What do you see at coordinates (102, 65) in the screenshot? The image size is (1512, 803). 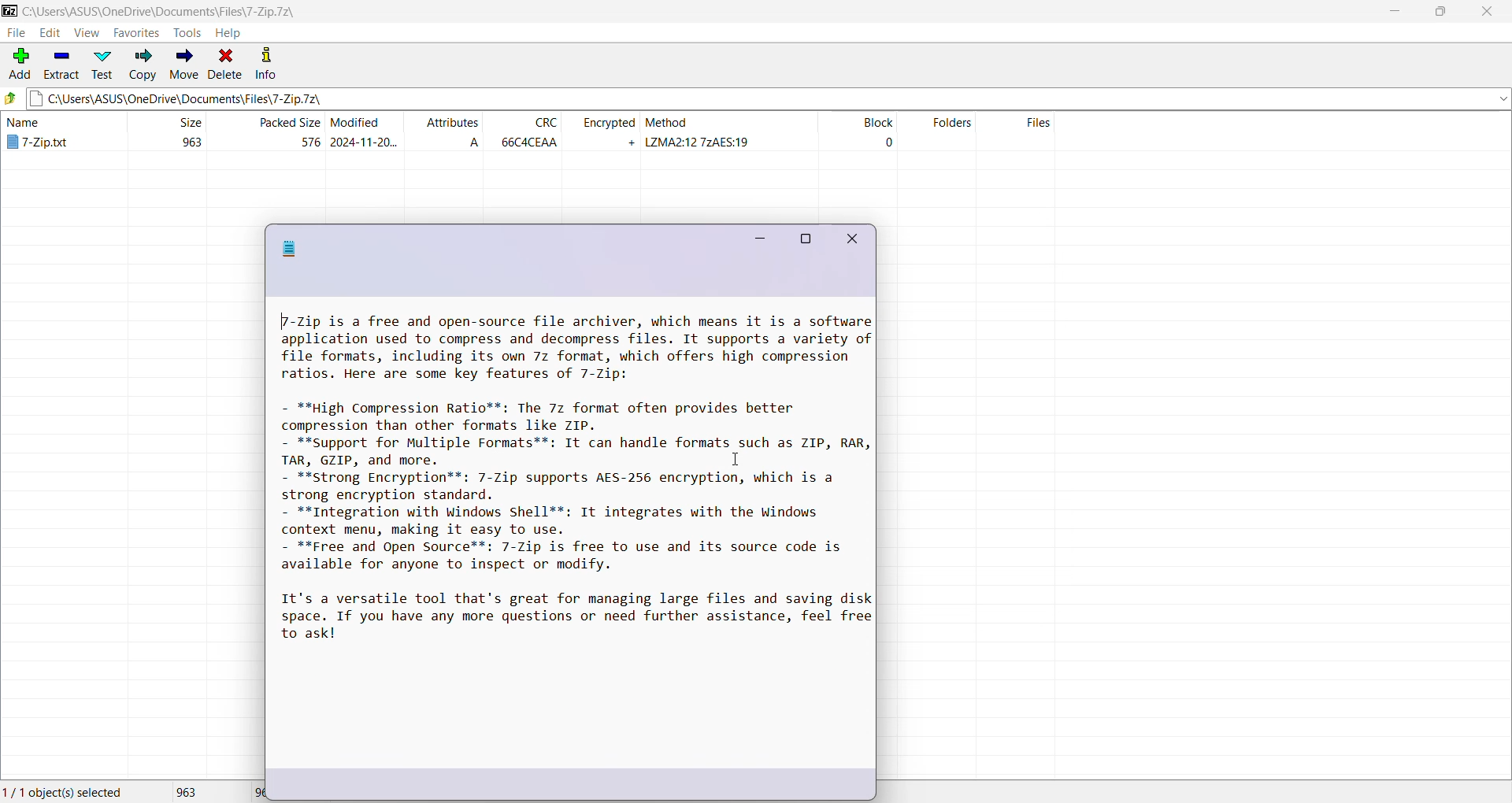 I see `Test` at bounding box center [102, 65].